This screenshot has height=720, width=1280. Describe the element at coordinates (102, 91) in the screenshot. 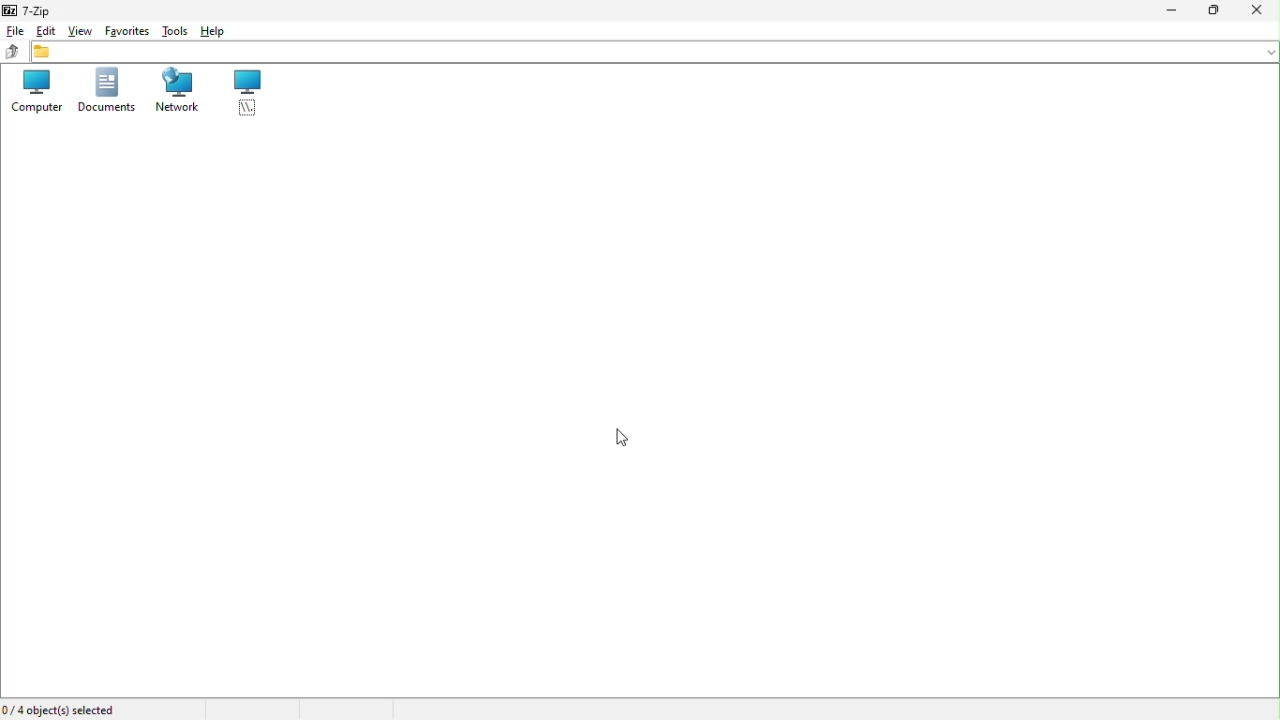

I see `Documents` at that location.